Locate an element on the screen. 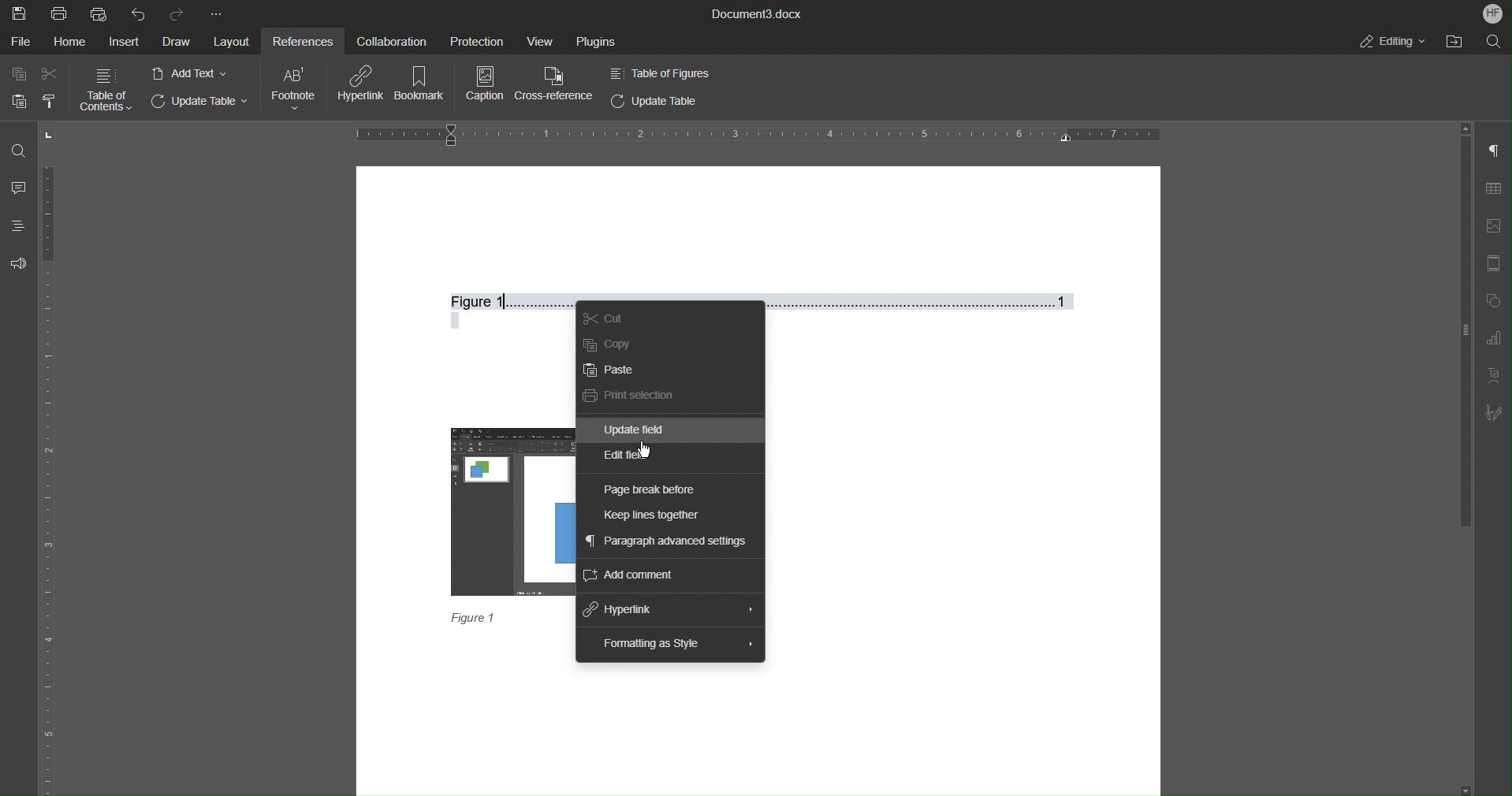  Table of Contents is located at coordinates (106, 89).